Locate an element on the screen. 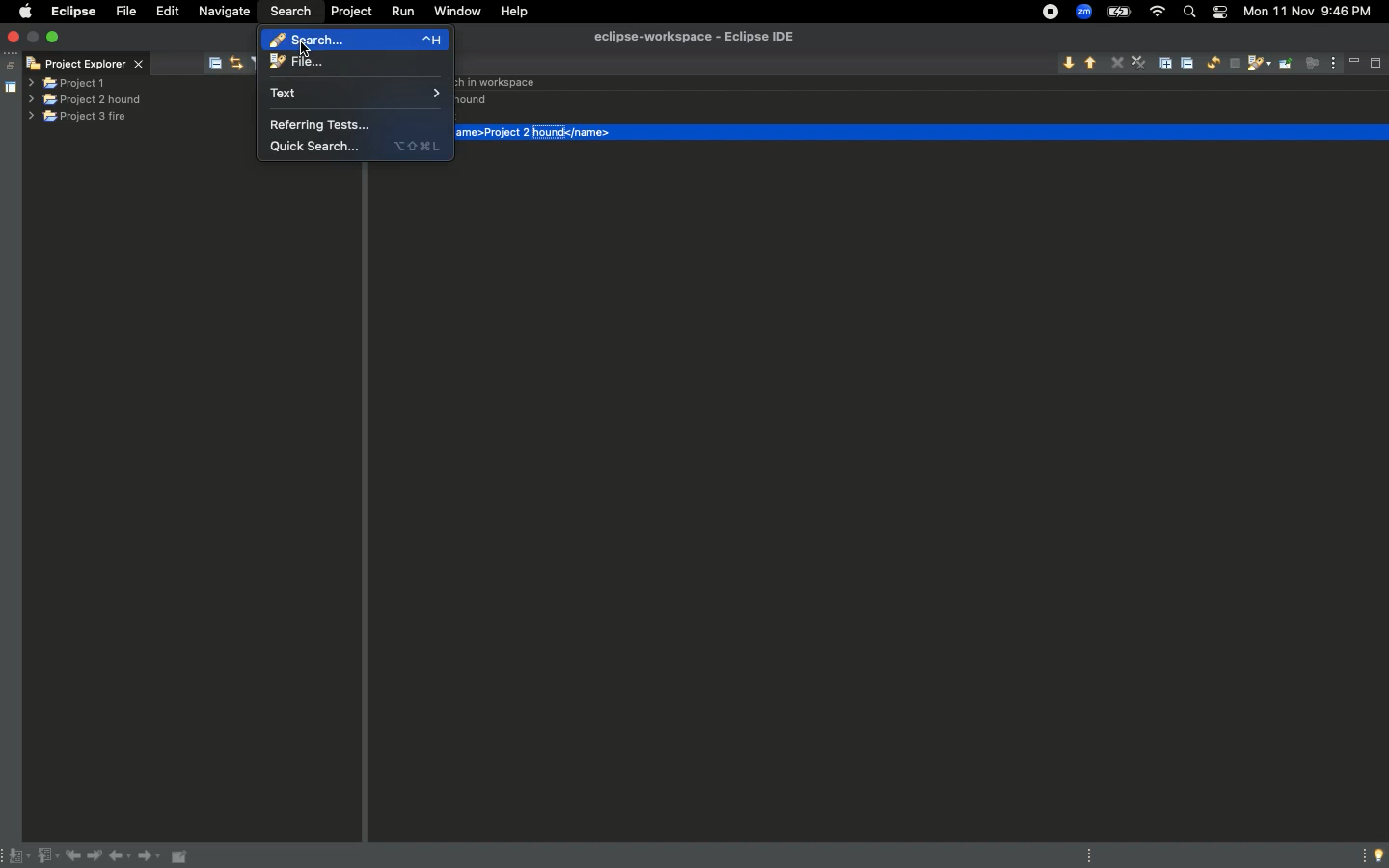 The width and height of the screenshot is (1389, 868). Search is located at coordinates (350, 38).